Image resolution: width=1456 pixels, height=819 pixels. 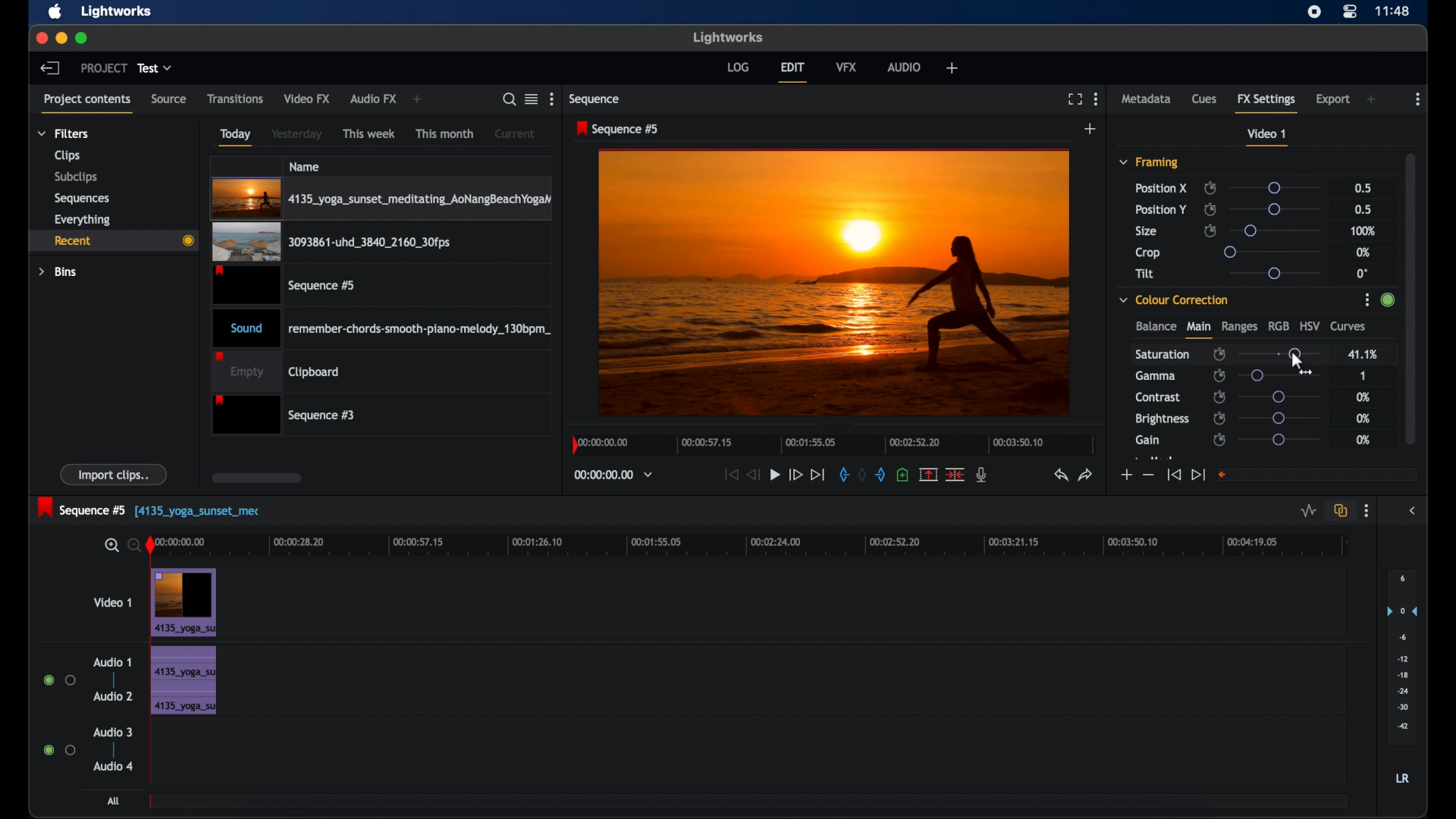 What do you see at coordinates (112, 765) in the screenshot?
I see `audio 4` at bounding box center [112, 765].